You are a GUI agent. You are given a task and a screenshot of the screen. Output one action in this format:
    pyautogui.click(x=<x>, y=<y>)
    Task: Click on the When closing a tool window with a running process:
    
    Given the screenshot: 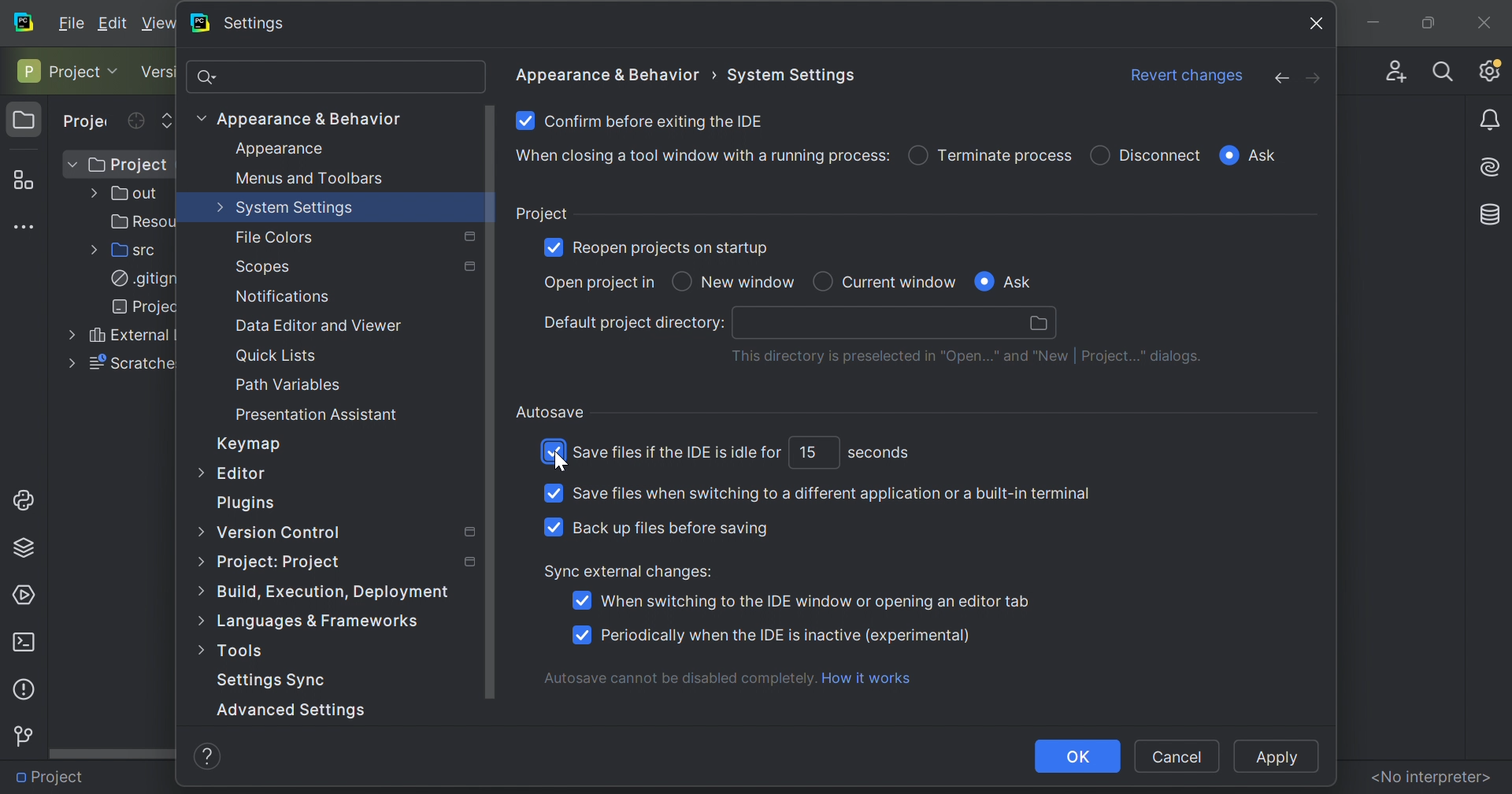 What is the action you would take?
    pyautogui.click(x=700, y=156)
    